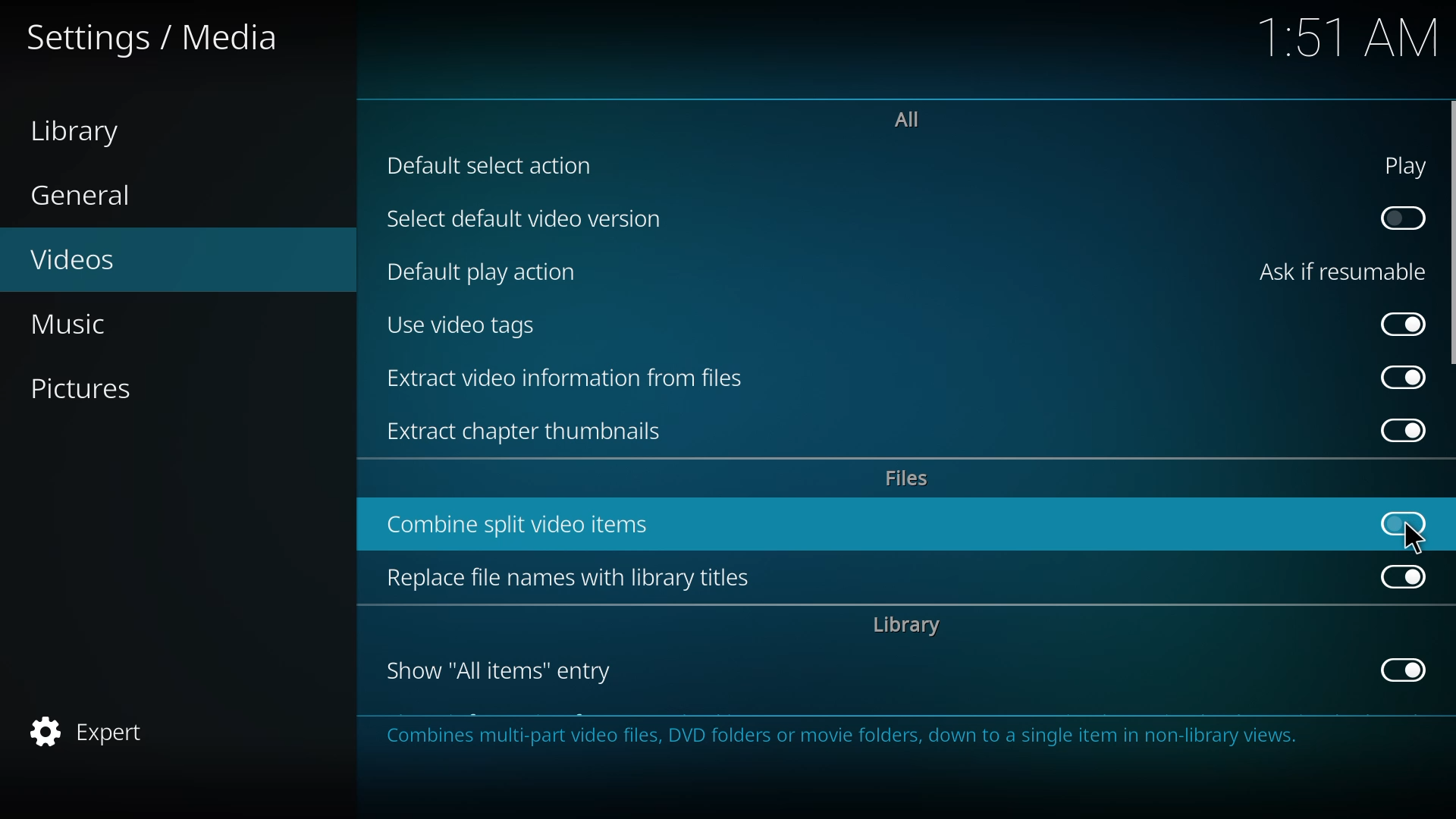 The image size is (1456, 819). I want to click on enabled, so click(1402, 574).